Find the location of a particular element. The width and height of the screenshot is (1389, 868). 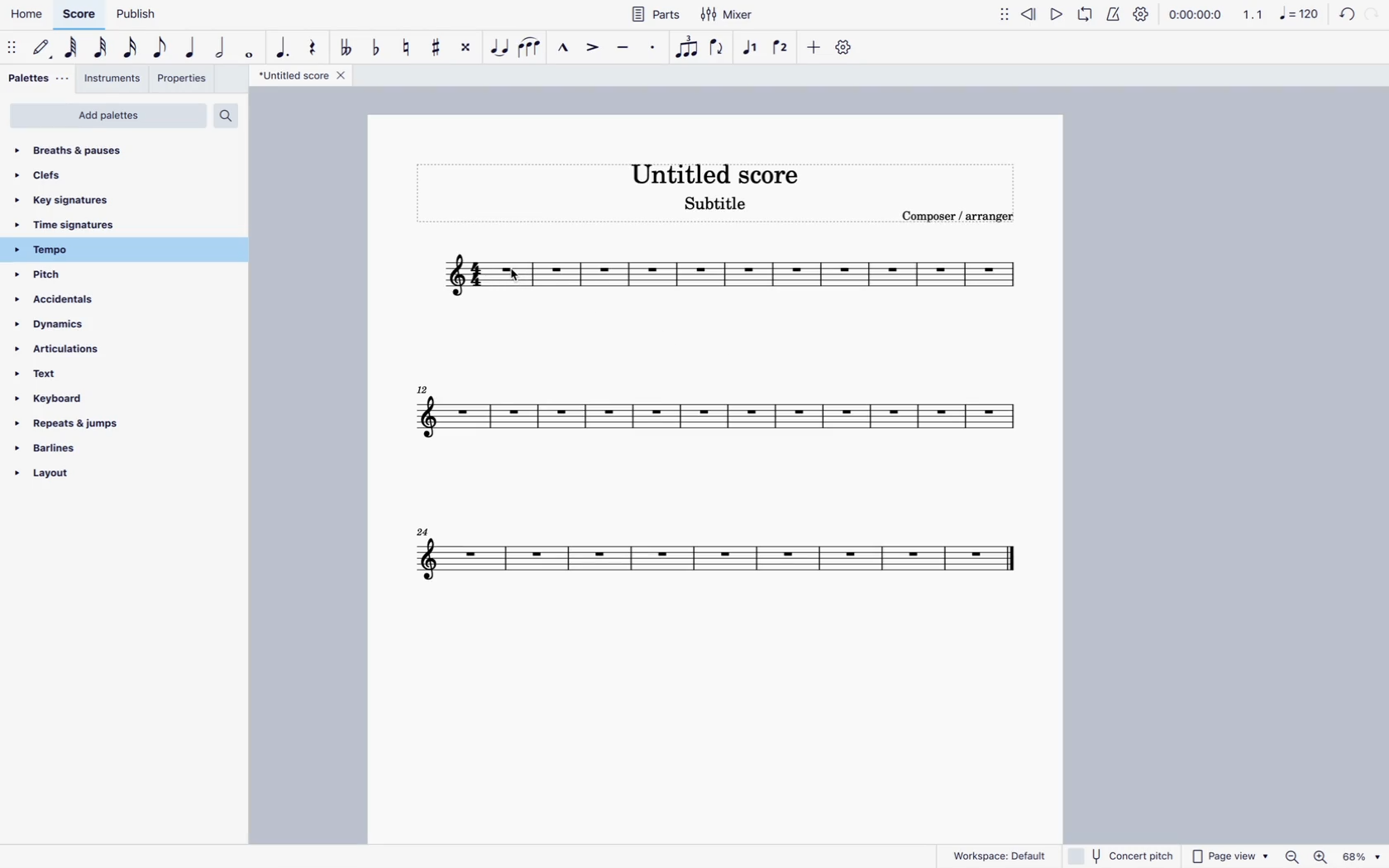

articulations is located at coordinates (90, 352).